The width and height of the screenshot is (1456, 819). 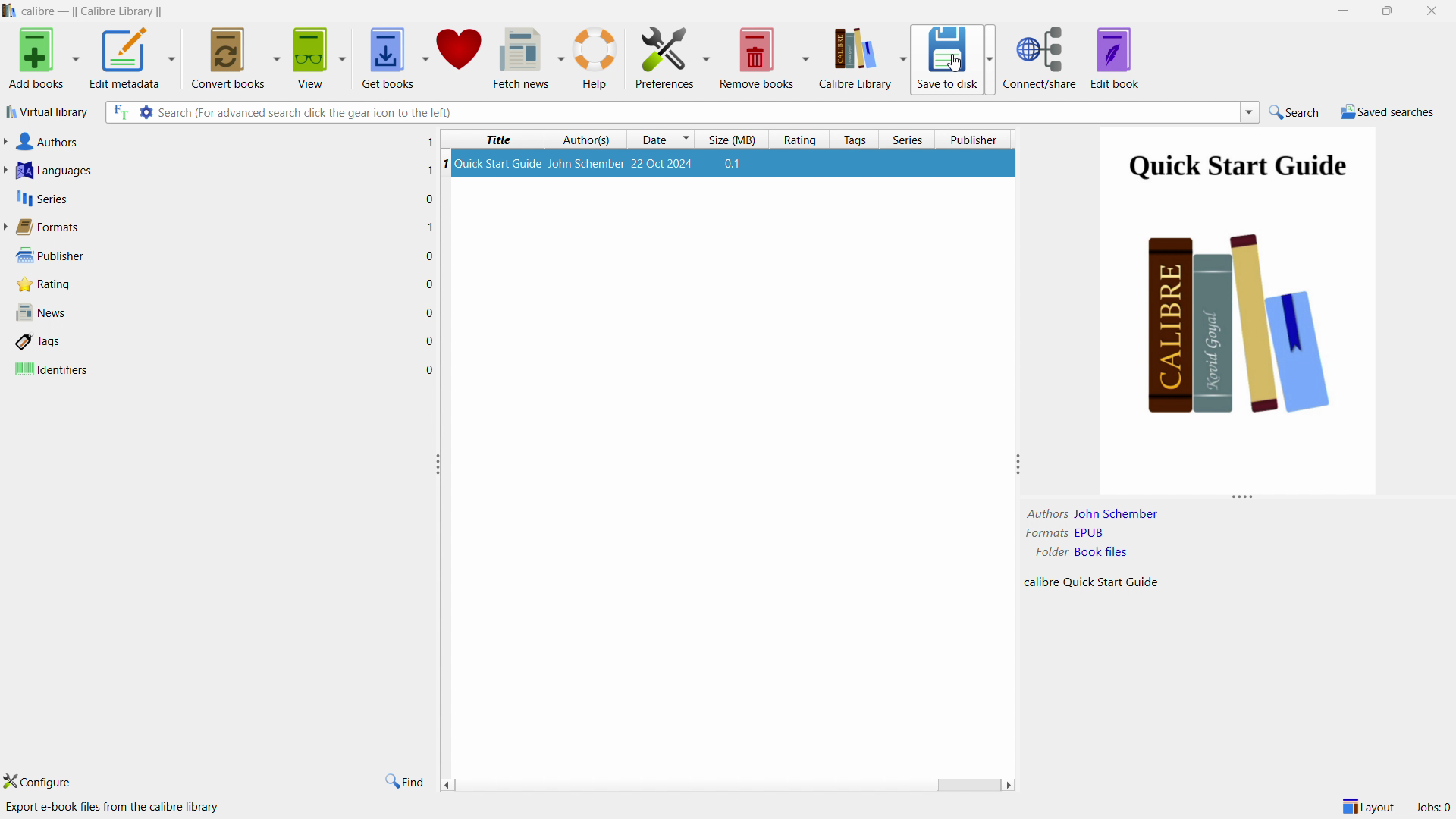 I want to click on save to disk, so click(x=954, y=59).